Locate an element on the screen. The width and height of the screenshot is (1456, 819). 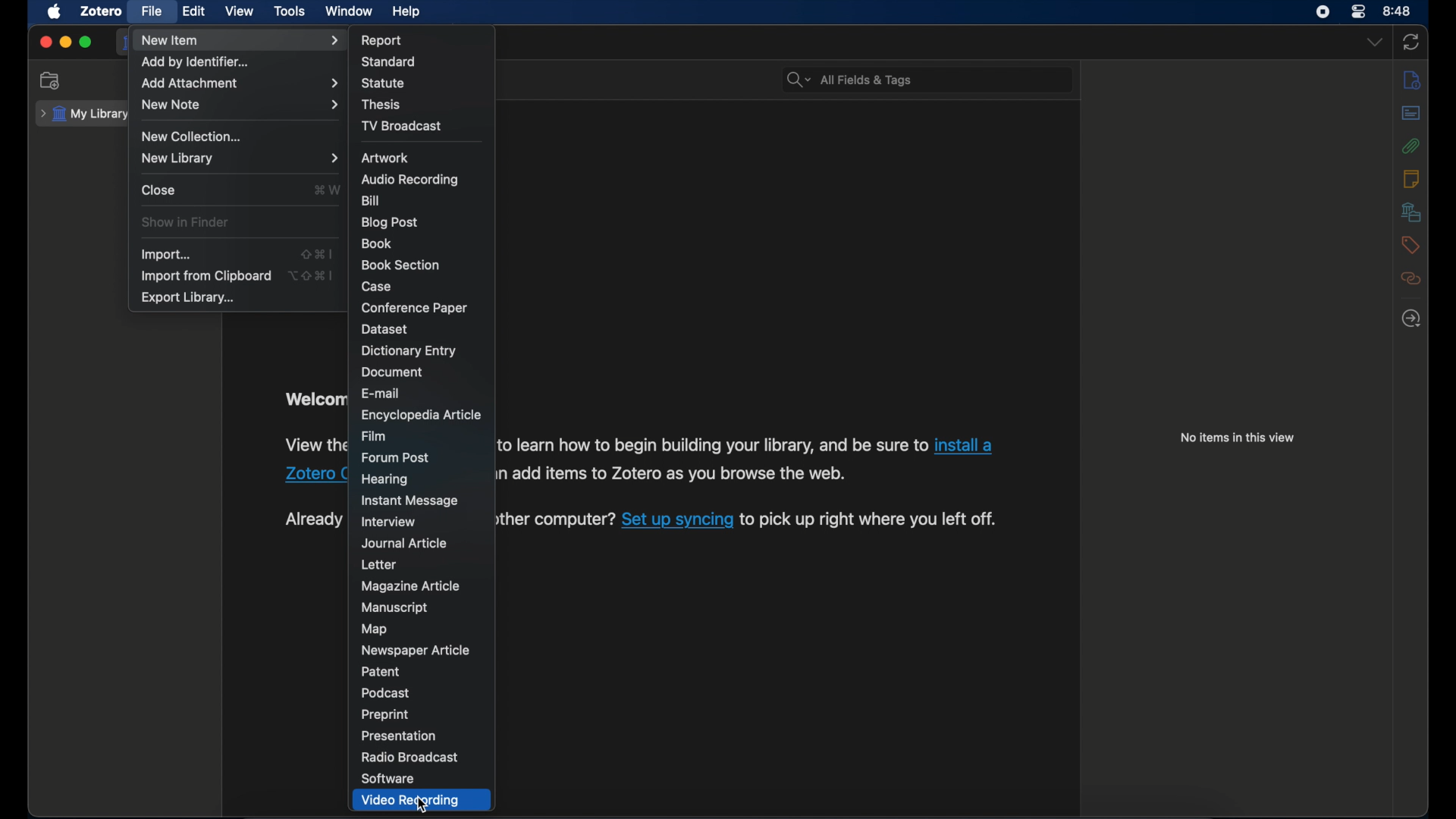
cursor on Video Recording is located at coordinates (424, 806).